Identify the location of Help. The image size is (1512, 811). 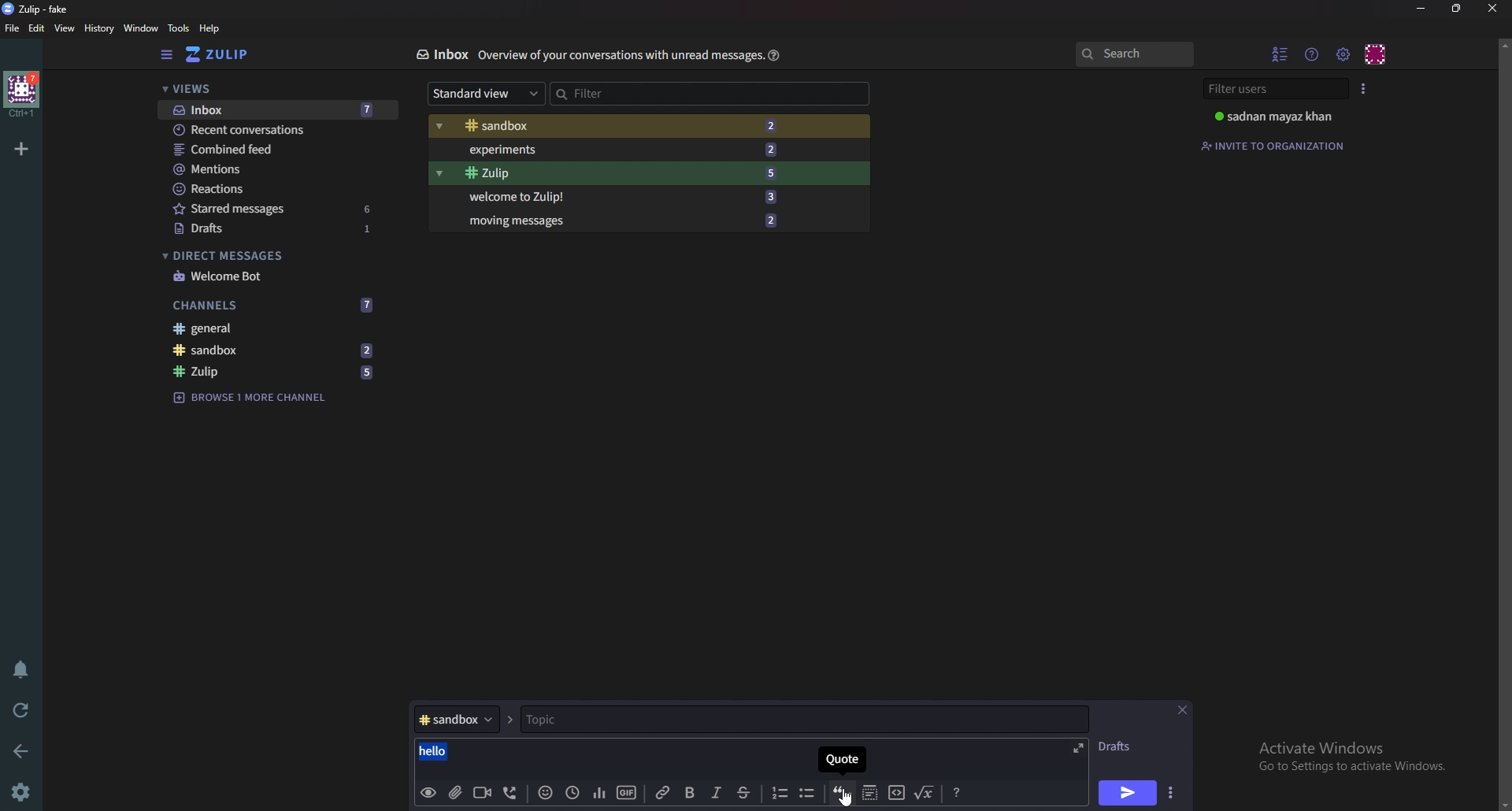
(773, 55).